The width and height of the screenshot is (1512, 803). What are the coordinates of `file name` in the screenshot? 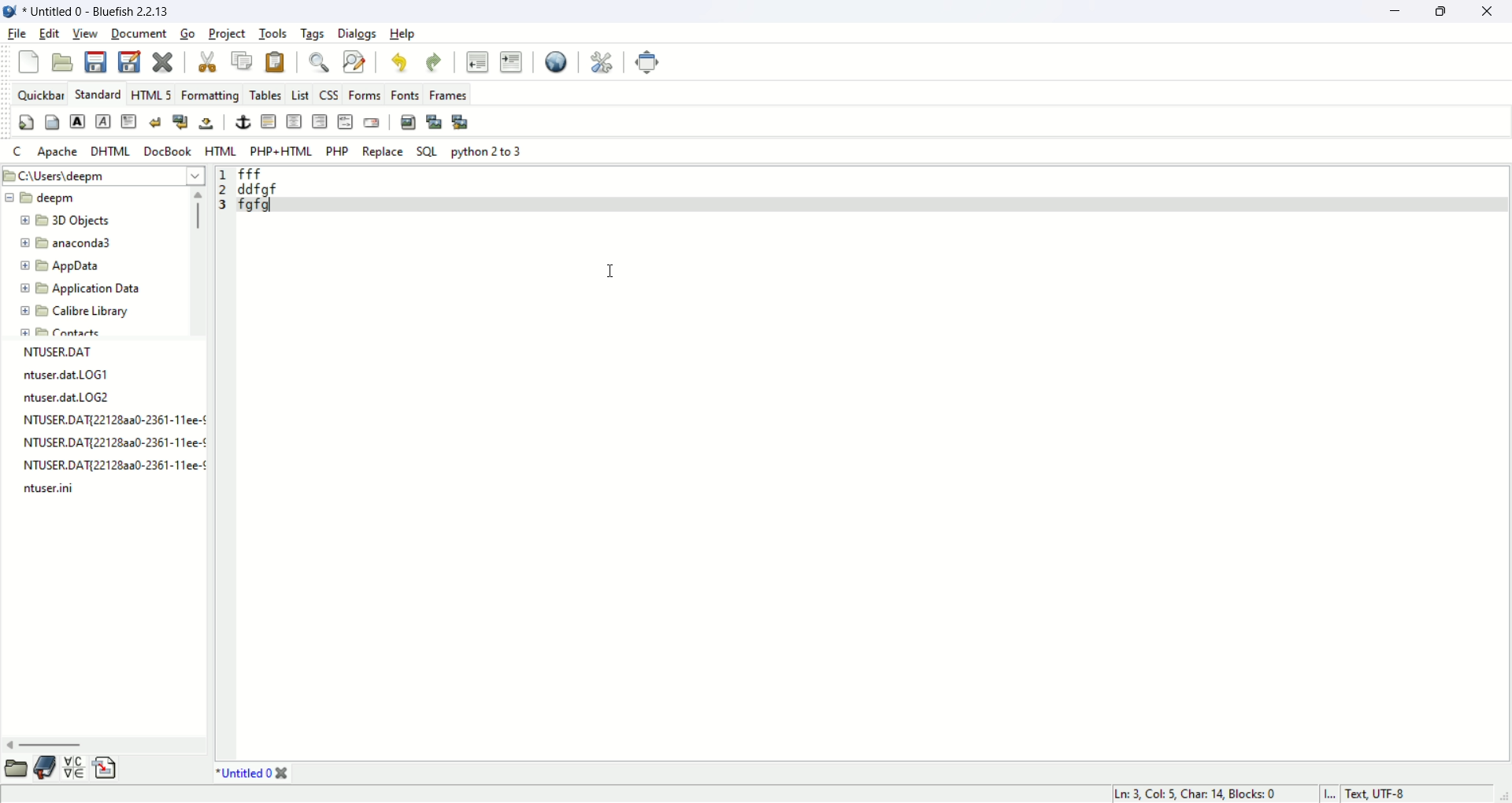 It's located at (111, 468).